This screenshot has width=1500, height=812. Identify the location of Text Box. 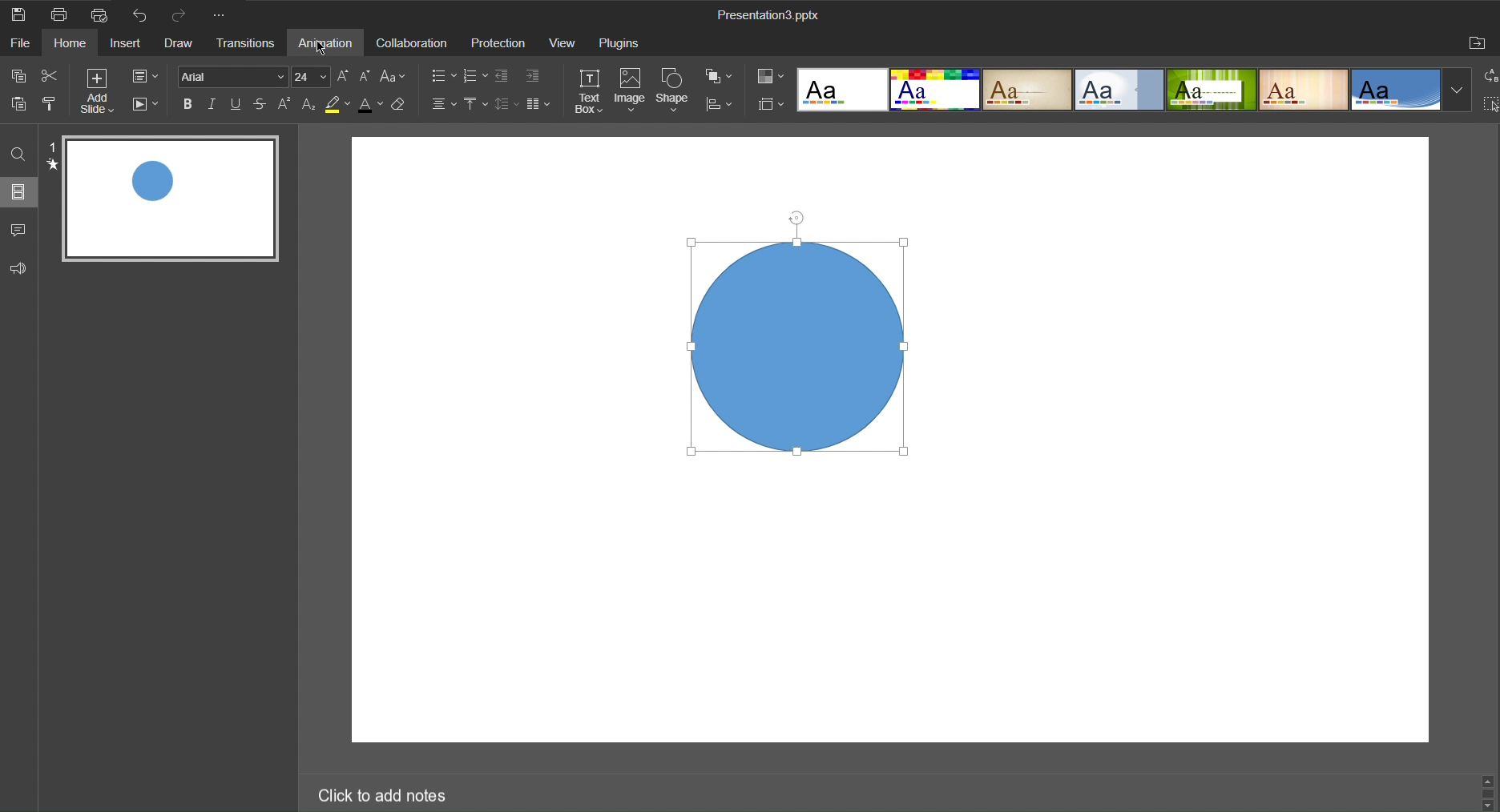
(591, 90).